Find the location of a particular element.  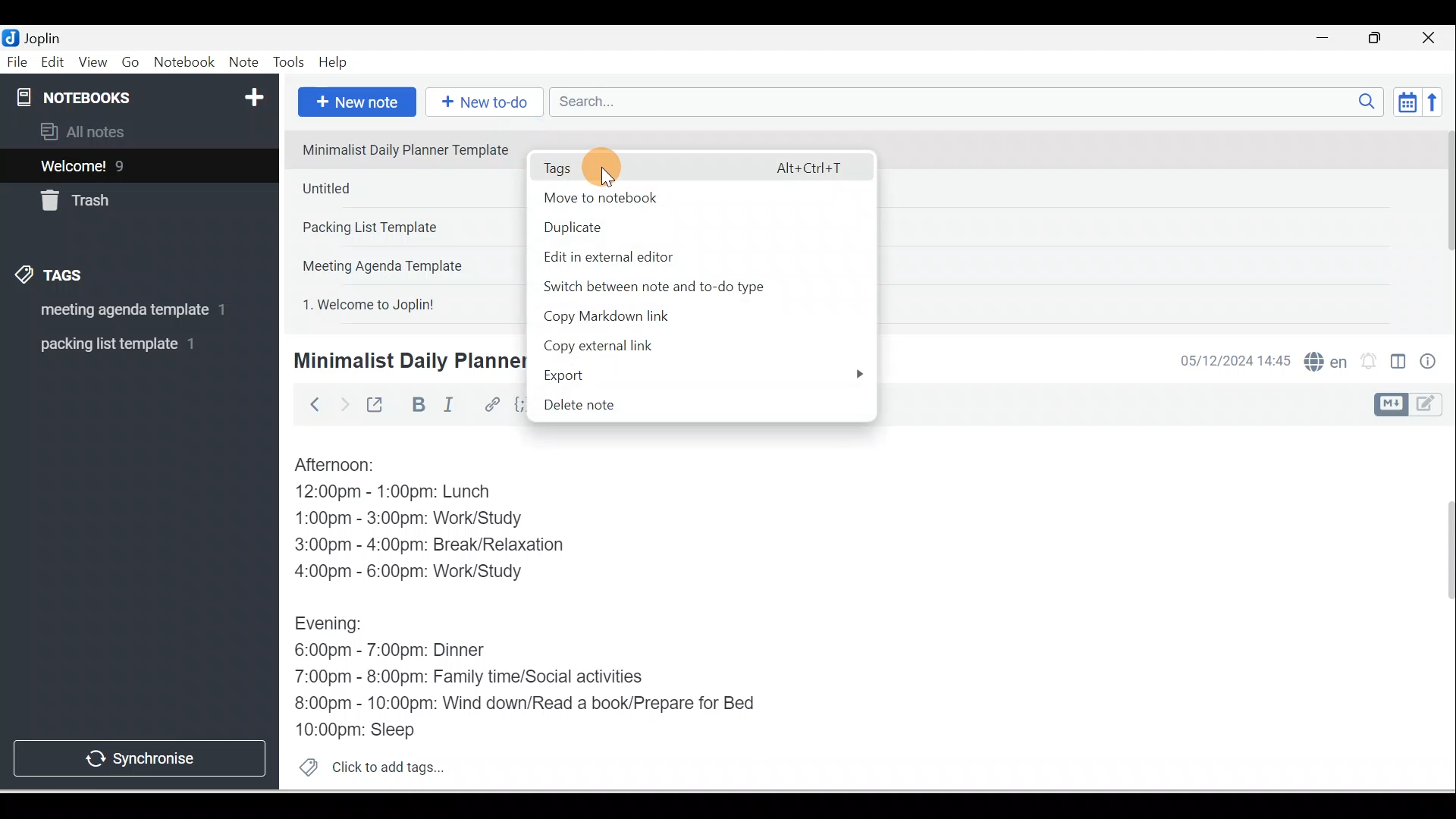

Maximise is located at coordinates (1380, 39).